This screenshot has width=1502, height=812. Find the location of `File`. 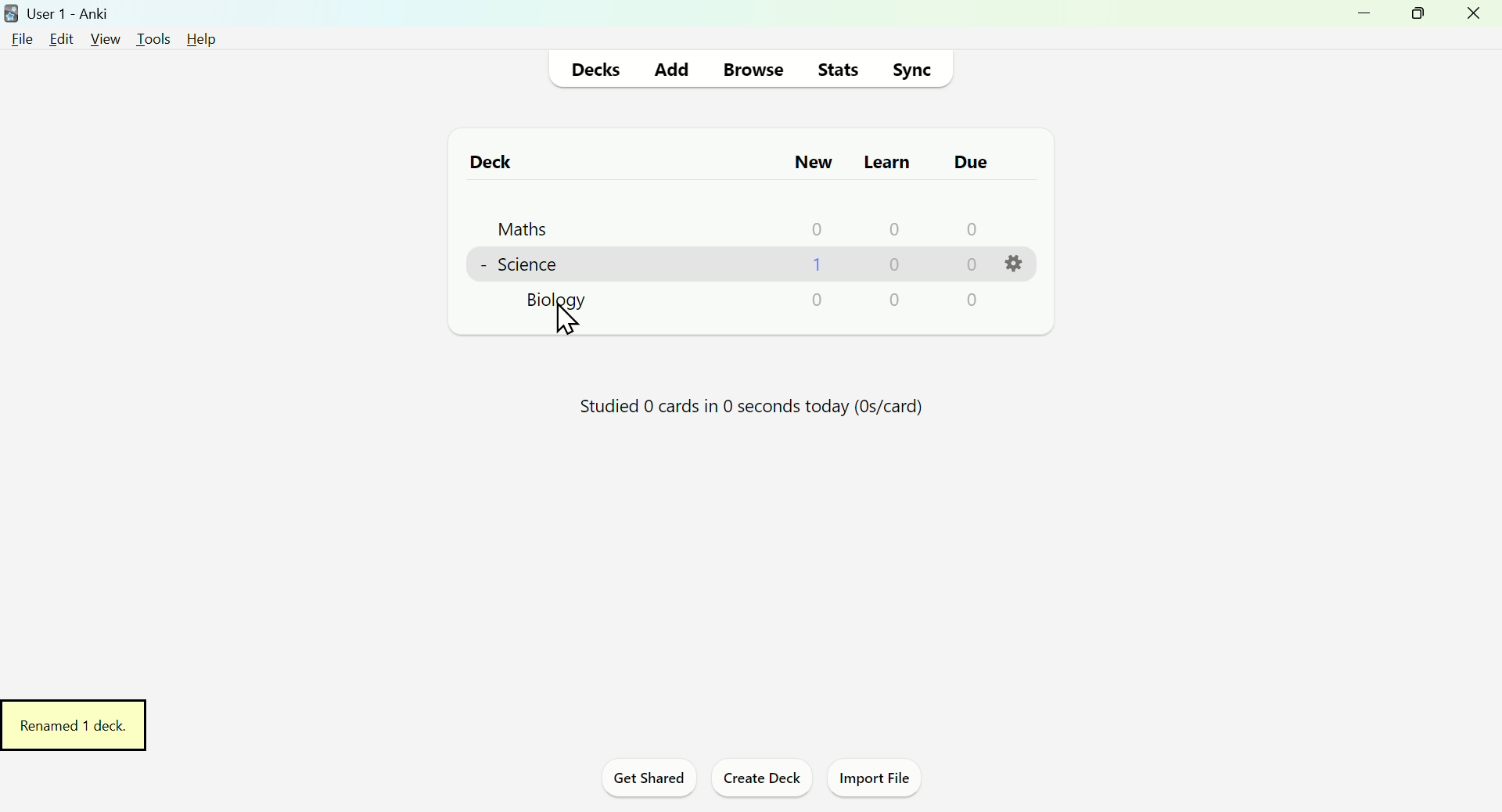

File is located at coordinates (23, 38).